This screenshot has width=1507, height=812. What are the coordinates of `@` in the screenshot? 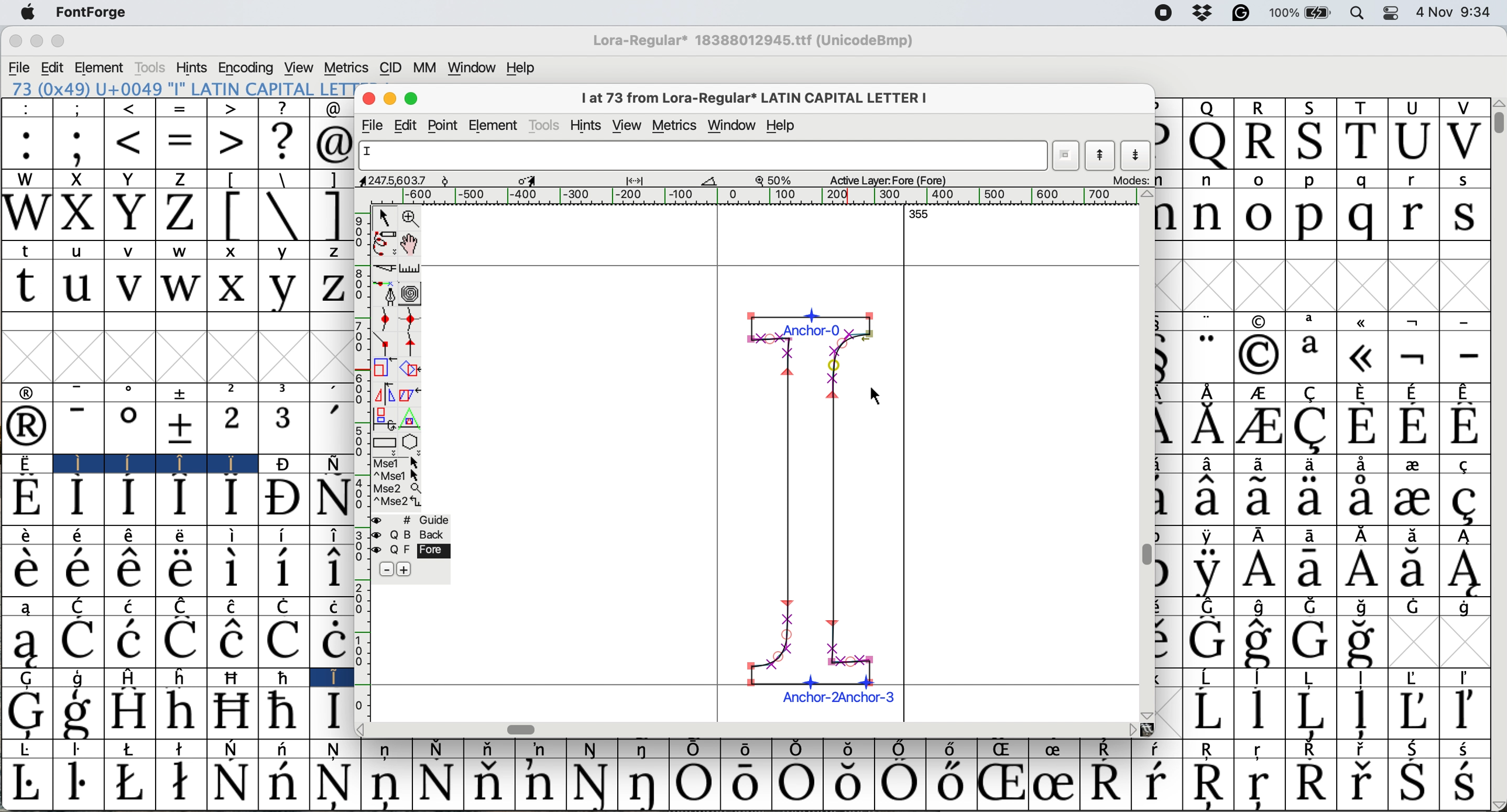 It's located at (332, 109).